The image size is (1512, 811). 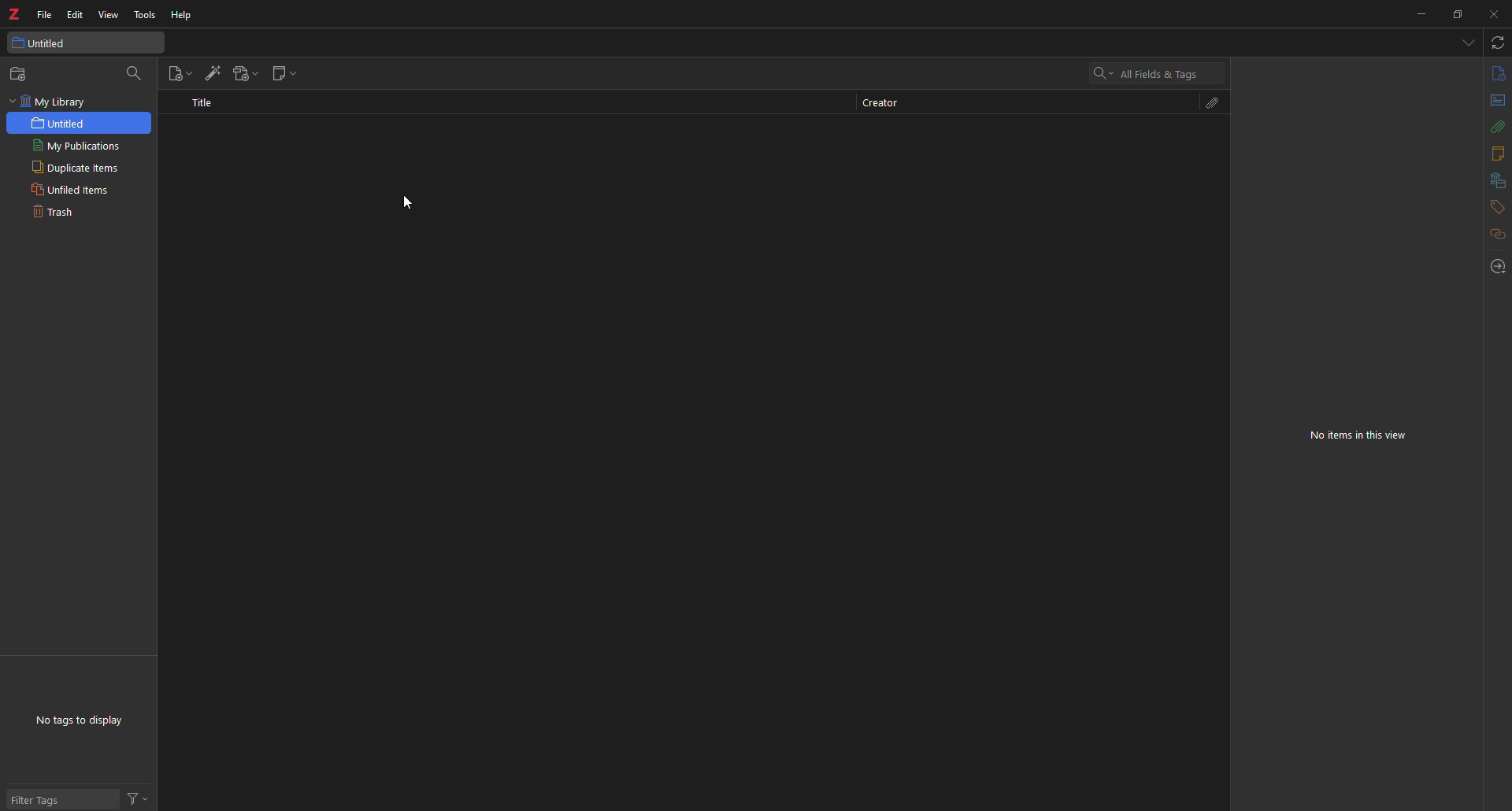 What do you see at coordinates (1208, 104) in the screenshot?
I see `attach` at bounding box center [1208, 104].